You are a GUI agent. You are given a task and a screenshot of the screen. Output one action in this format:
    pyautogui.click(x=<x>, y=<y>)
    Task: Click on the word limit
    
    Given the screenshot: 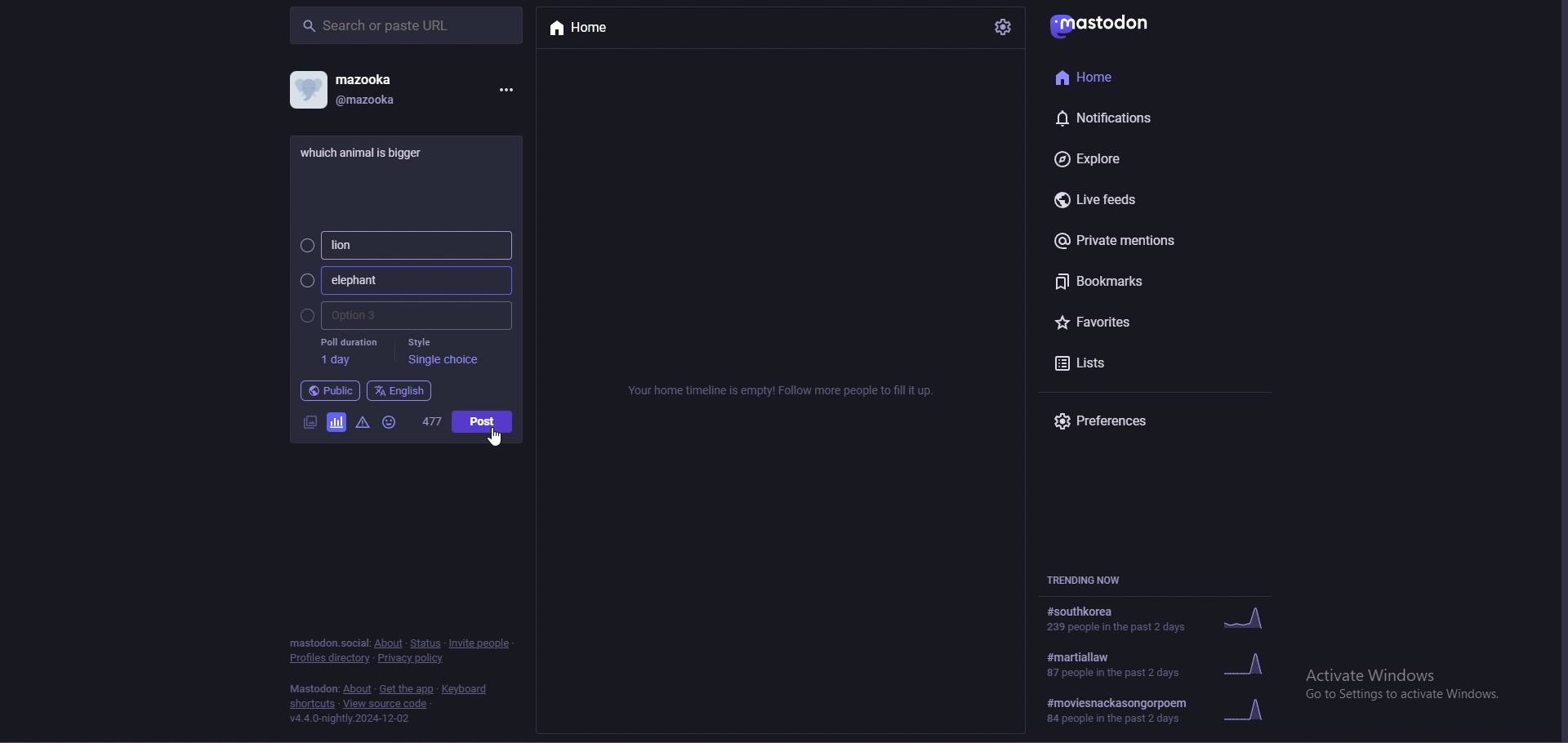 What is the action you would take?
    pyautogui.click(x=430, y=425)
    